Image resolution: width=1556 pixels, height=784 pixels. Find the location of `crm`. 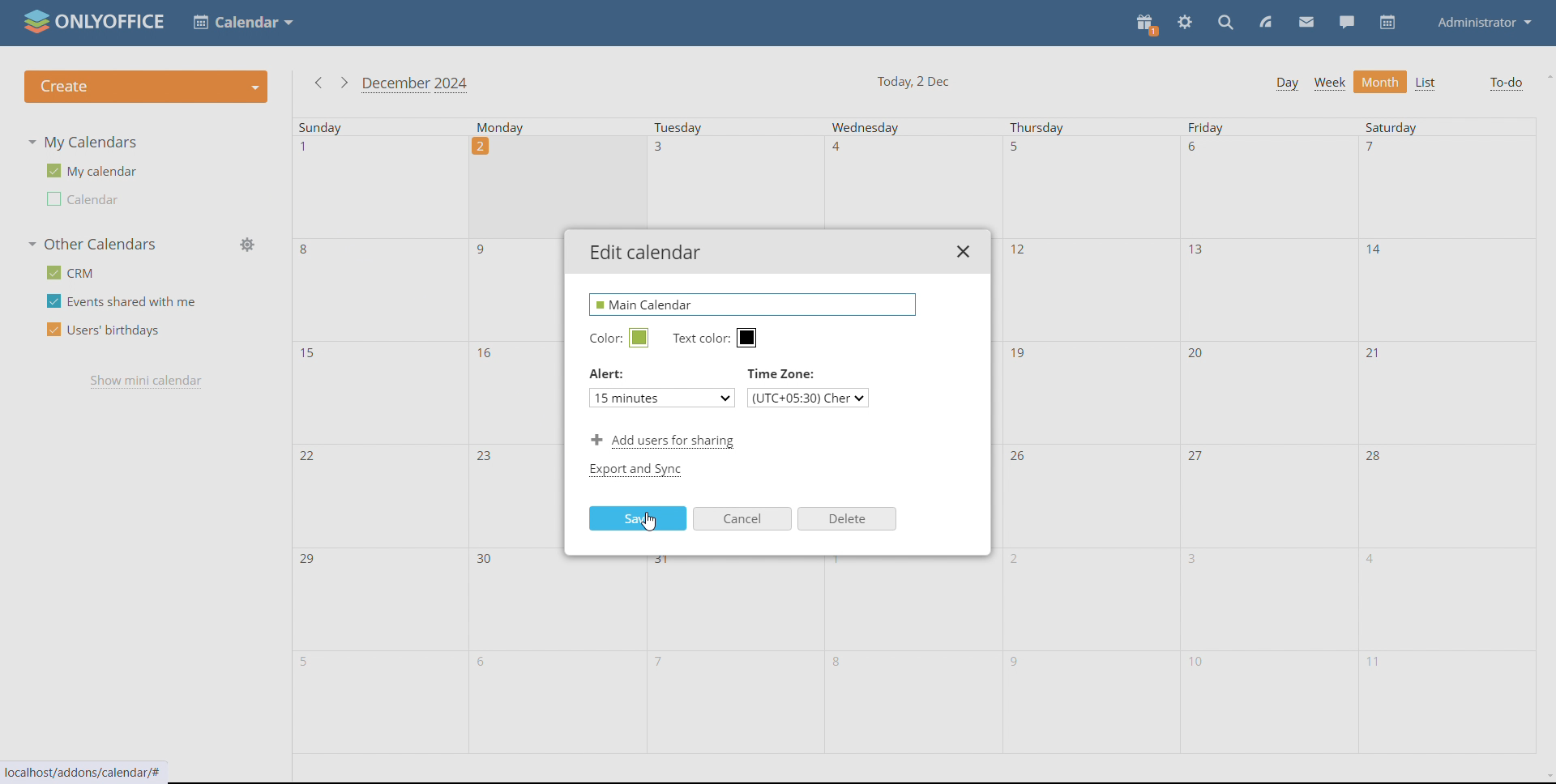

crm is located at coordinates (72, 271).